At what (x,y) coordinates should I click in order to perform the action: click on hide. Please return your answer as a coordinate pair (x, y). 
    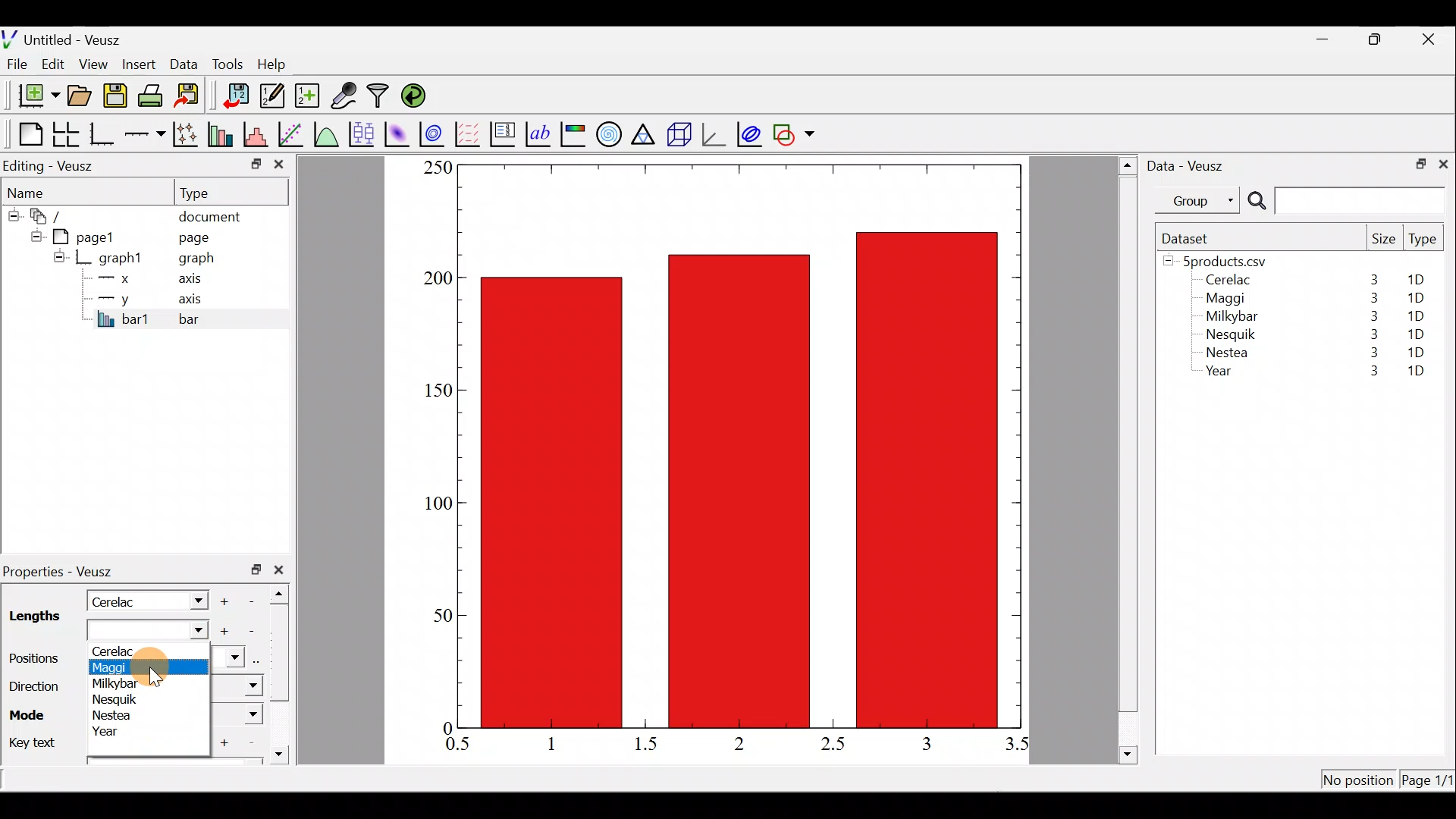
    Looking at the image, I should click on (33, 234).